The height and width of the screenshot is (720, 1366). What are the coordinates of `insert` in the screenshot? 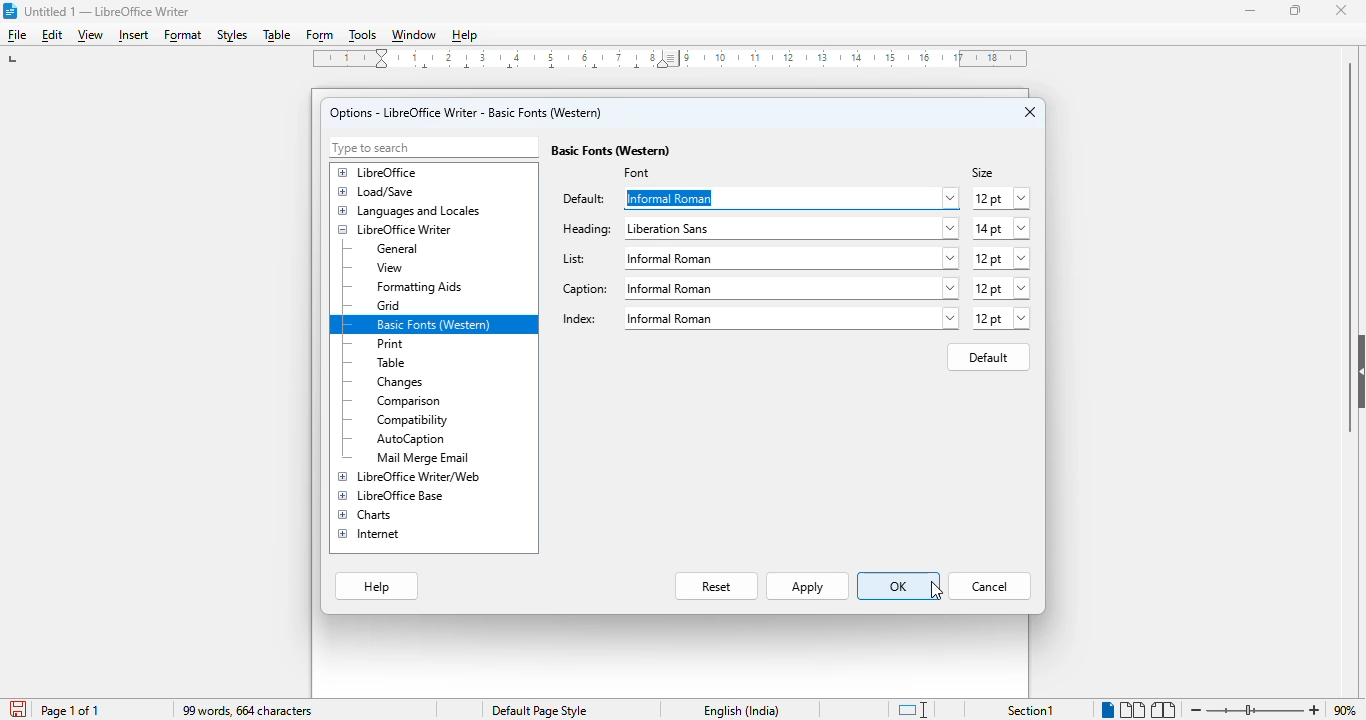 It's located at (134, 37).